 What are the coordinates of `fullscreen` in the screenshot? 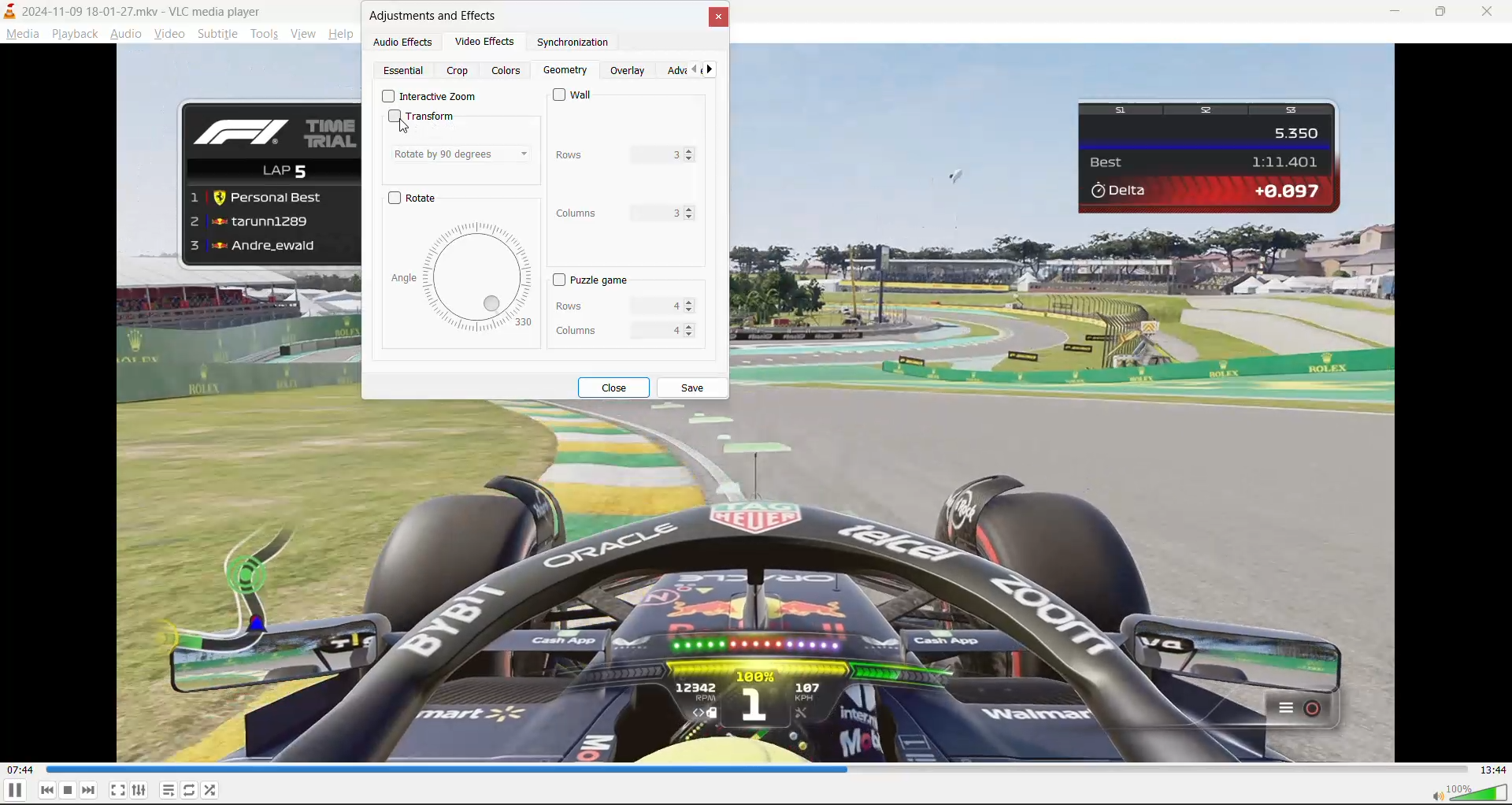 It's located at (117, 787).